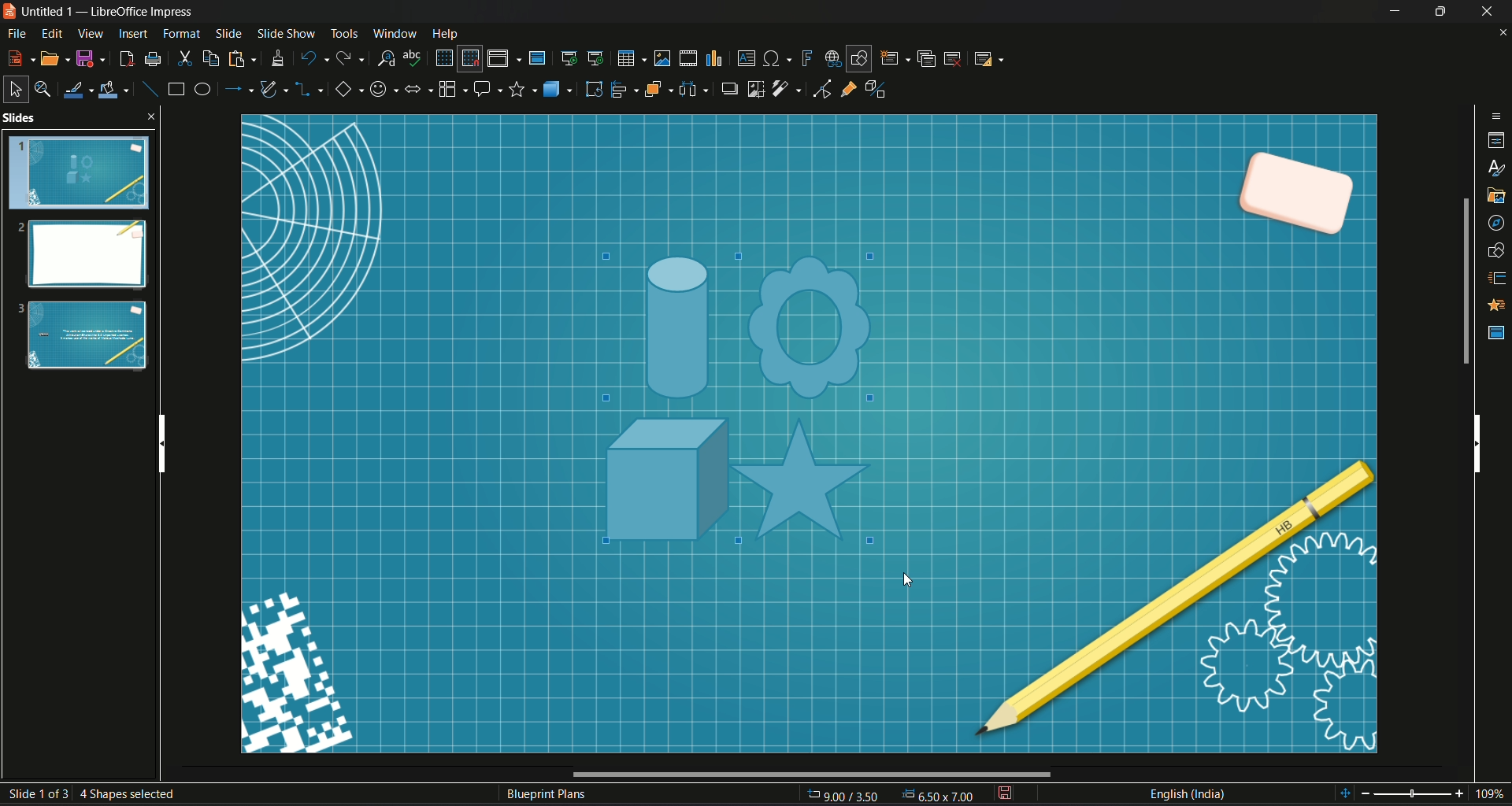 The height and width of the screenshot is (806, 1512). I want to click on Vertical scroll bar, so click(1477, 441).